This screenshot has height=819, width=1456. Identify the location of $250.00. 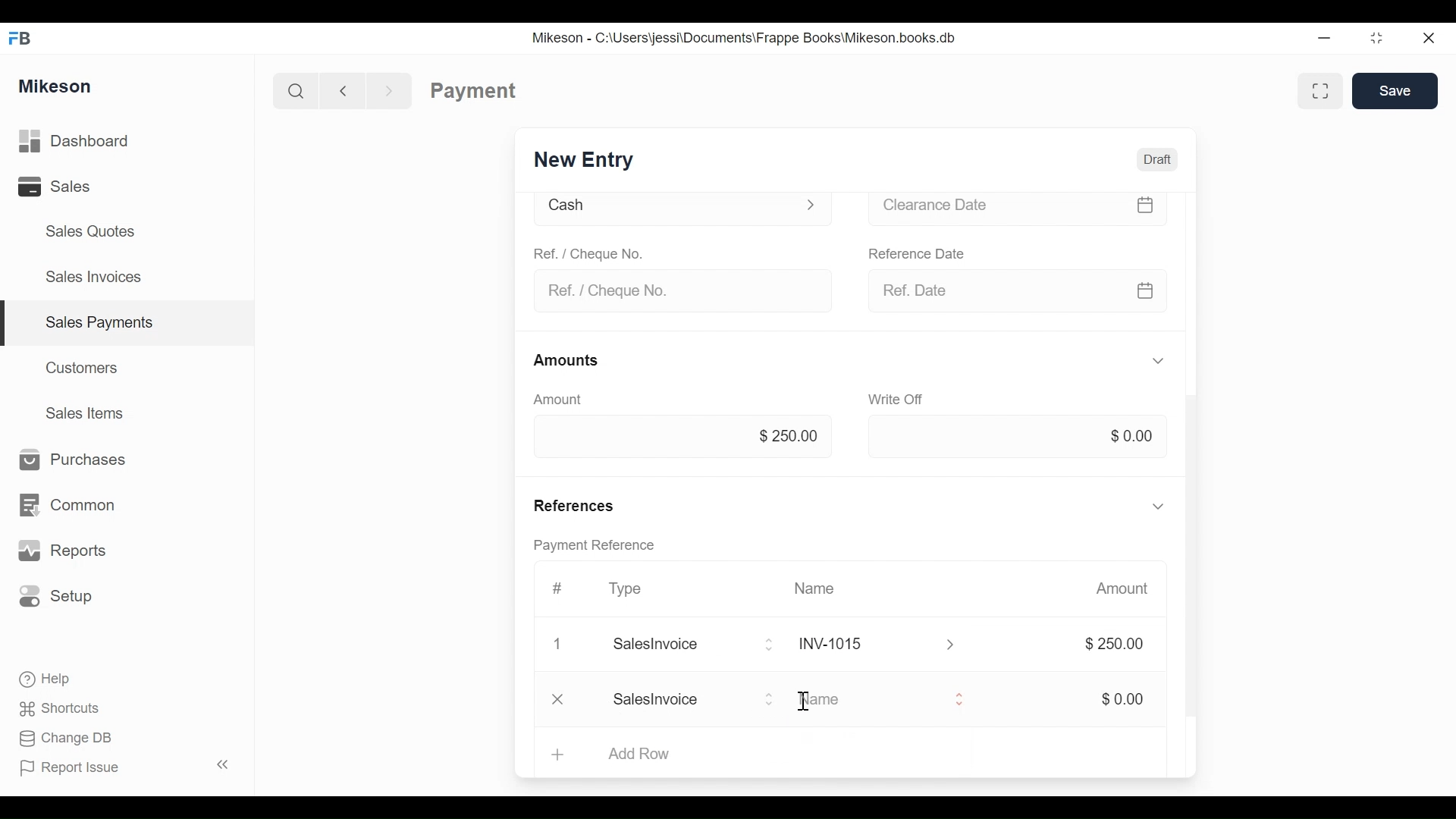
(1115, 645).